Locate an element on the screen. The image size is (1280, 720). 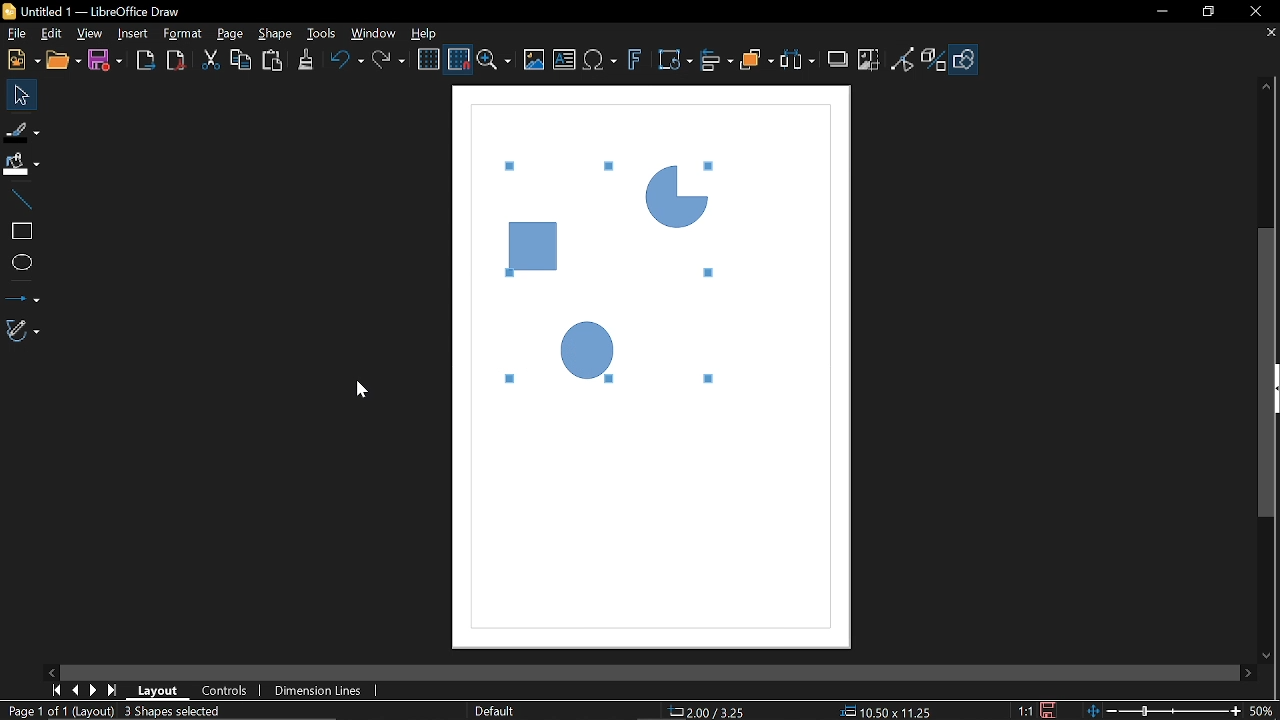
Cut is located at coordinates (210, 60).